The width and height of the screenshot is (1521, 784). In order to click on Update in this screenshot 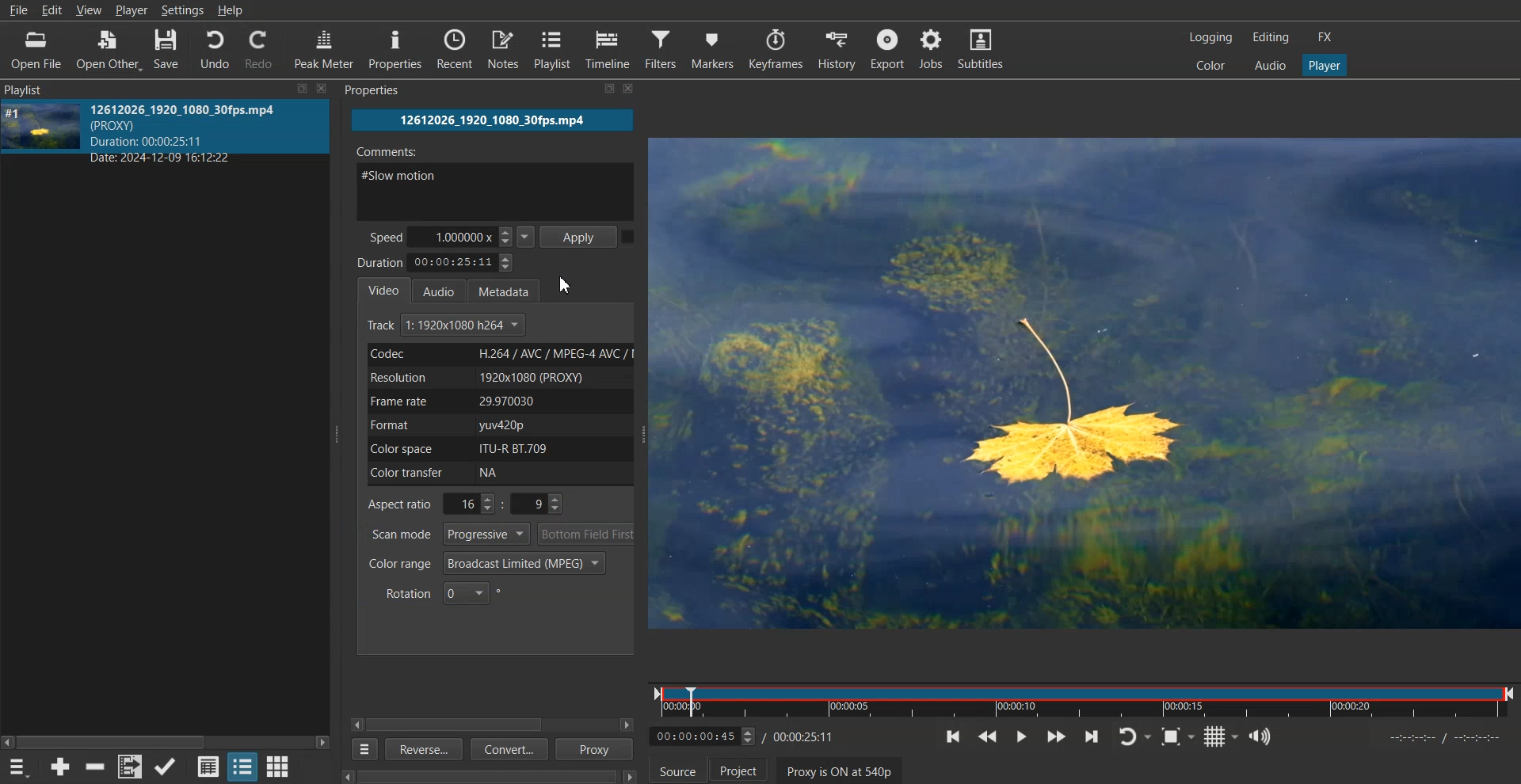, I will do `click(166, 767)`.